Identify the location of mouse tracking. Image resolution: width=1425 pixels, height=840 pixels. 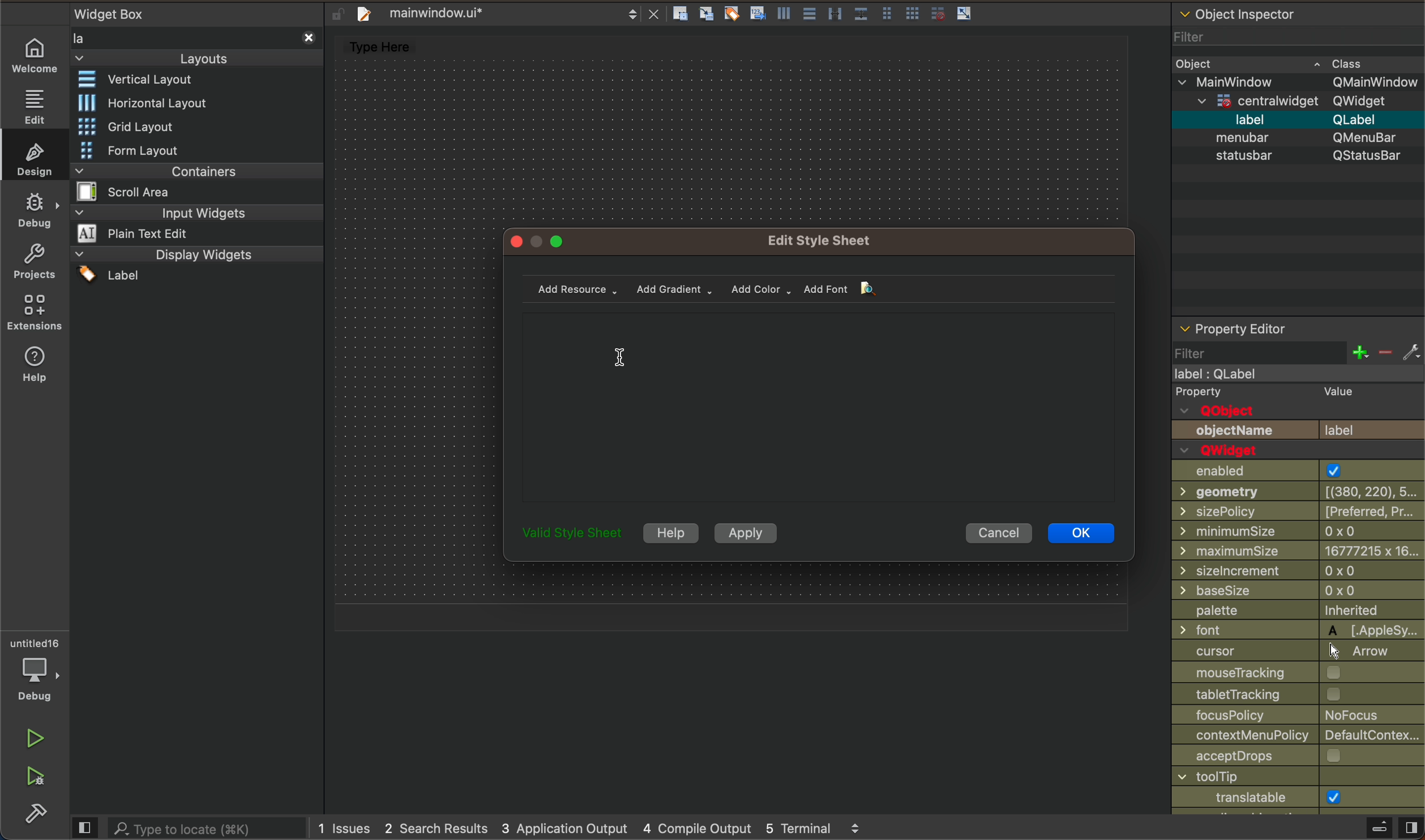
(1282, 674).